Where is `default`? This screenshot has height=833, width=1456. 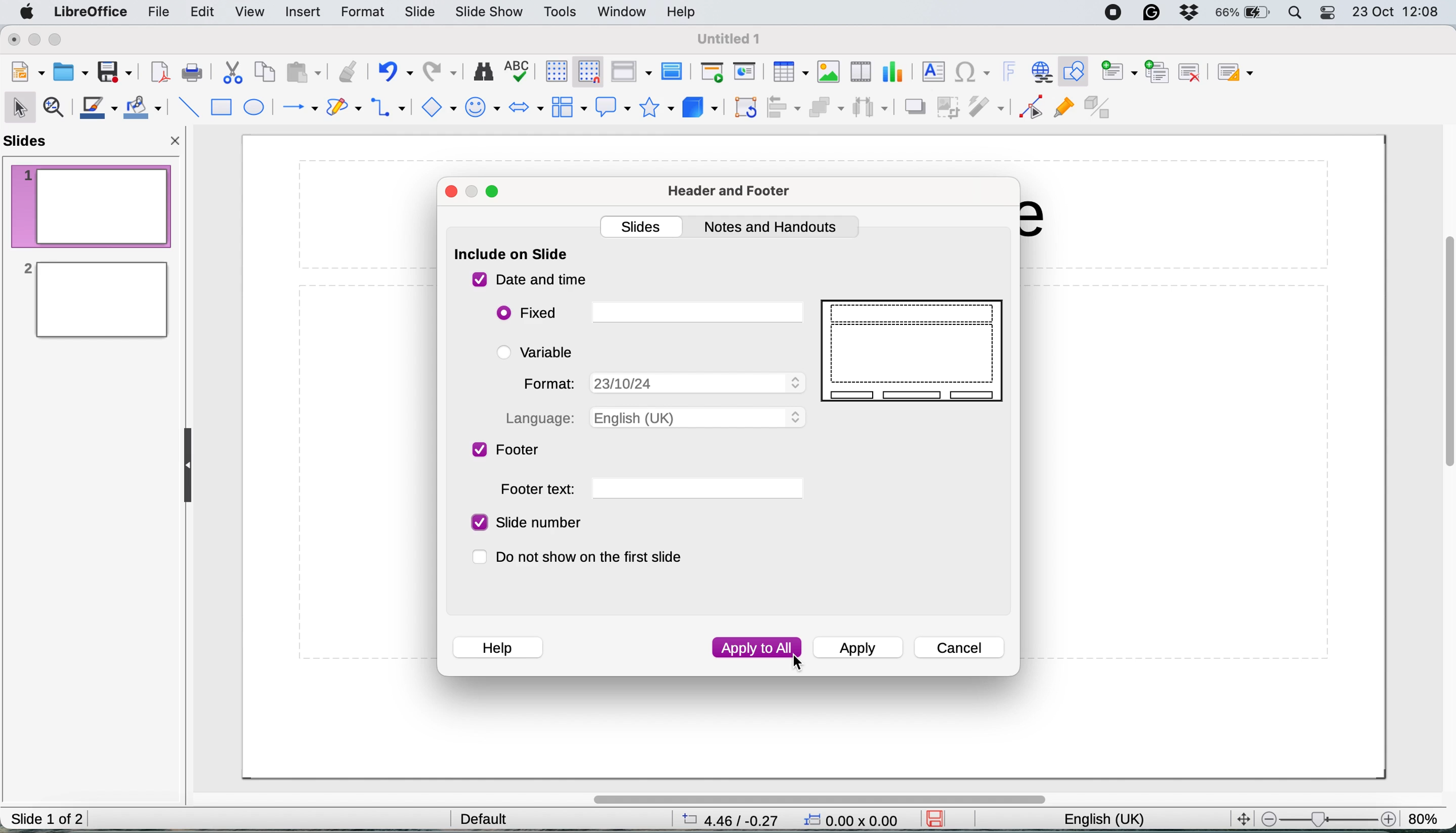
default is located at coordinates (489, 818).